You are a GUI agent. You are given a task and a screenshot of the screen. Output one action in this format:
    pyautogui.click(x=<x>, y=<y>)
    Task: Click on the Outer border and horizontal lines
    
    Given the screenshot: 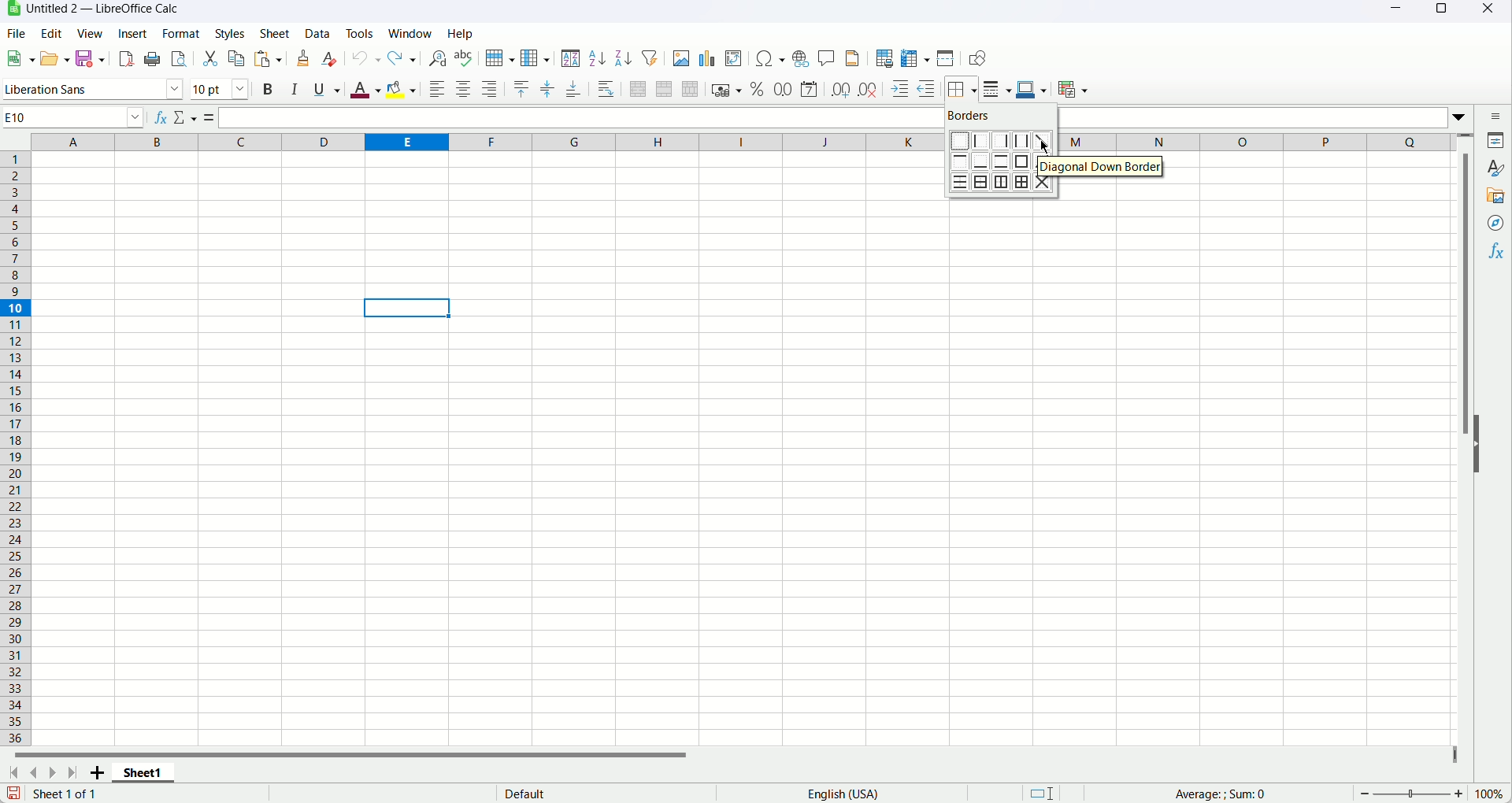 What is the action you would take?
    pyautogui.click(x=982, y=183)
    